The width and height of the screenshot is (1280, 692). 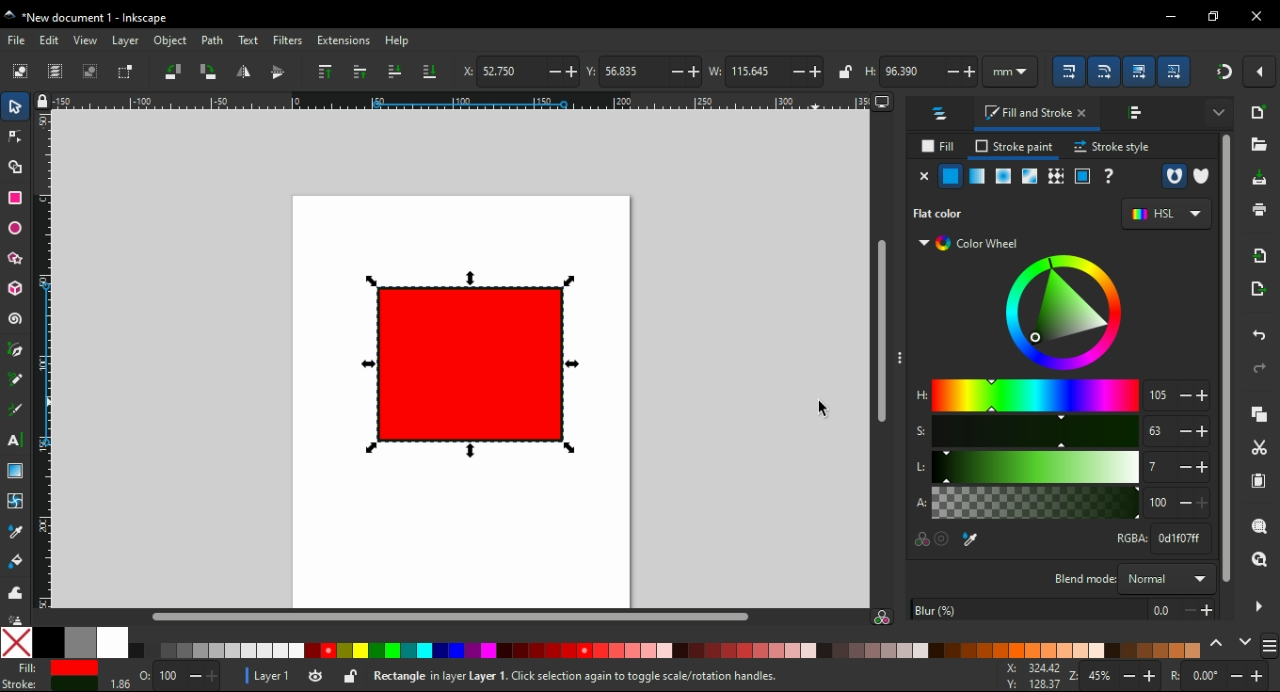 I want to click on select, so click(x=15, y=106).